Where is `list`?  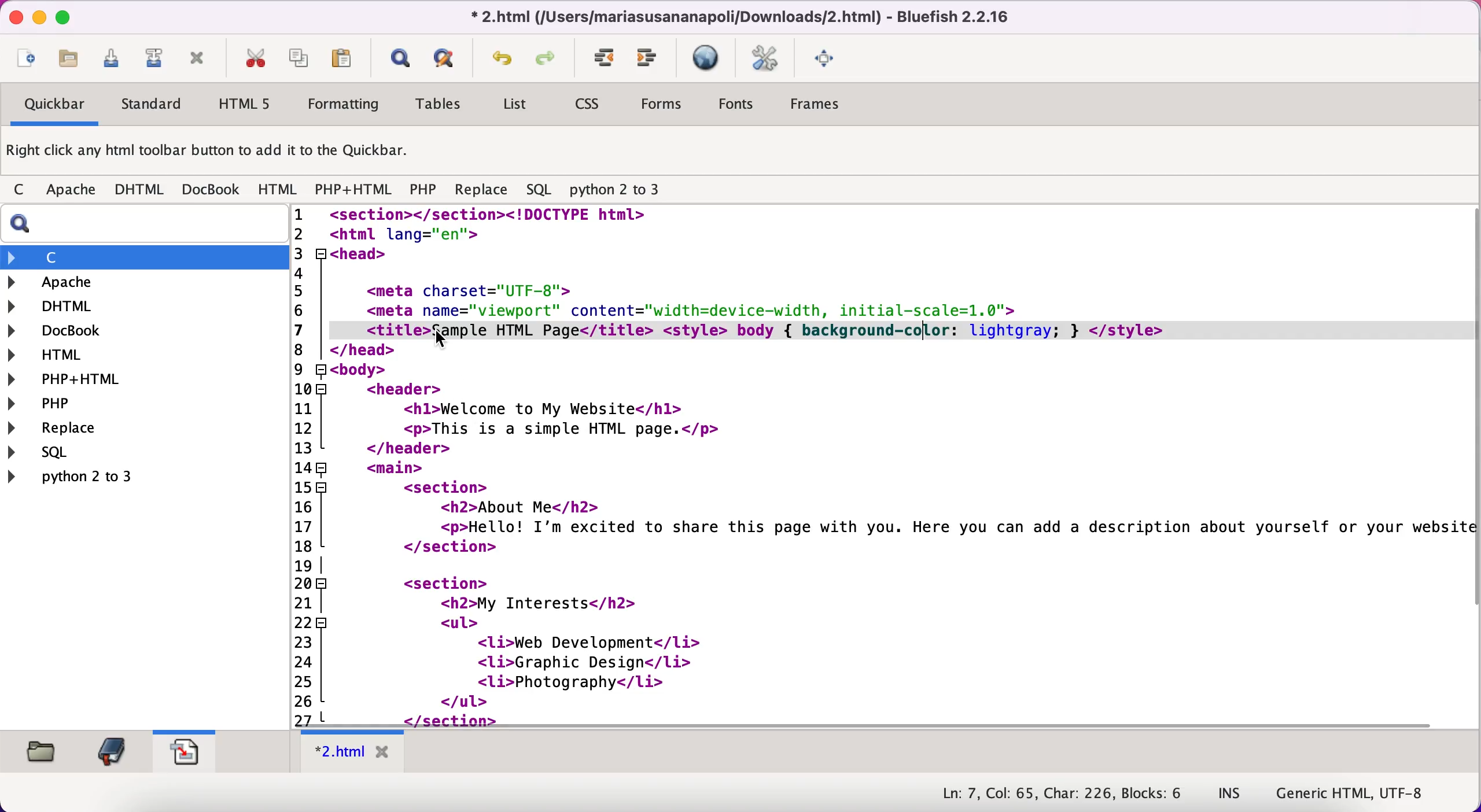 list is located at coordinates (514, 106).